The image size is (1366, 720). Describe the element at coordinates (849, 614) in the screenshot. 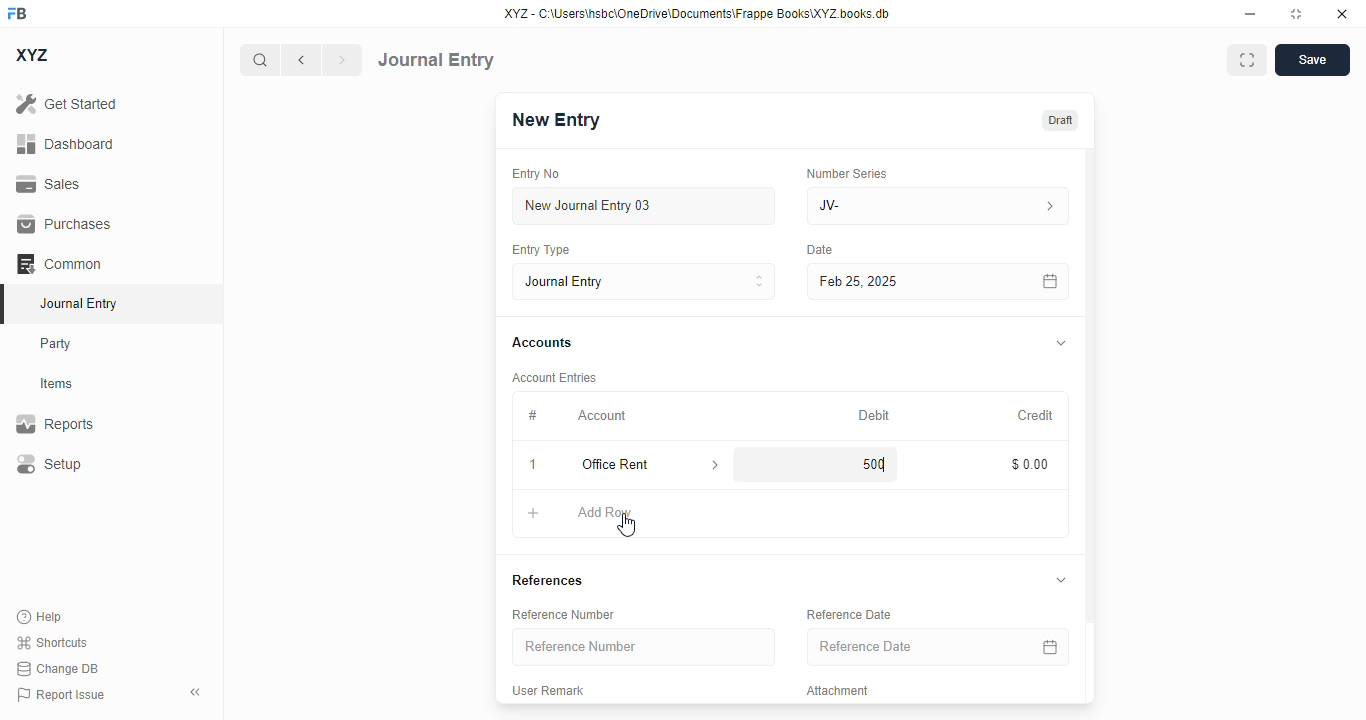

I see `reference data` at that location.